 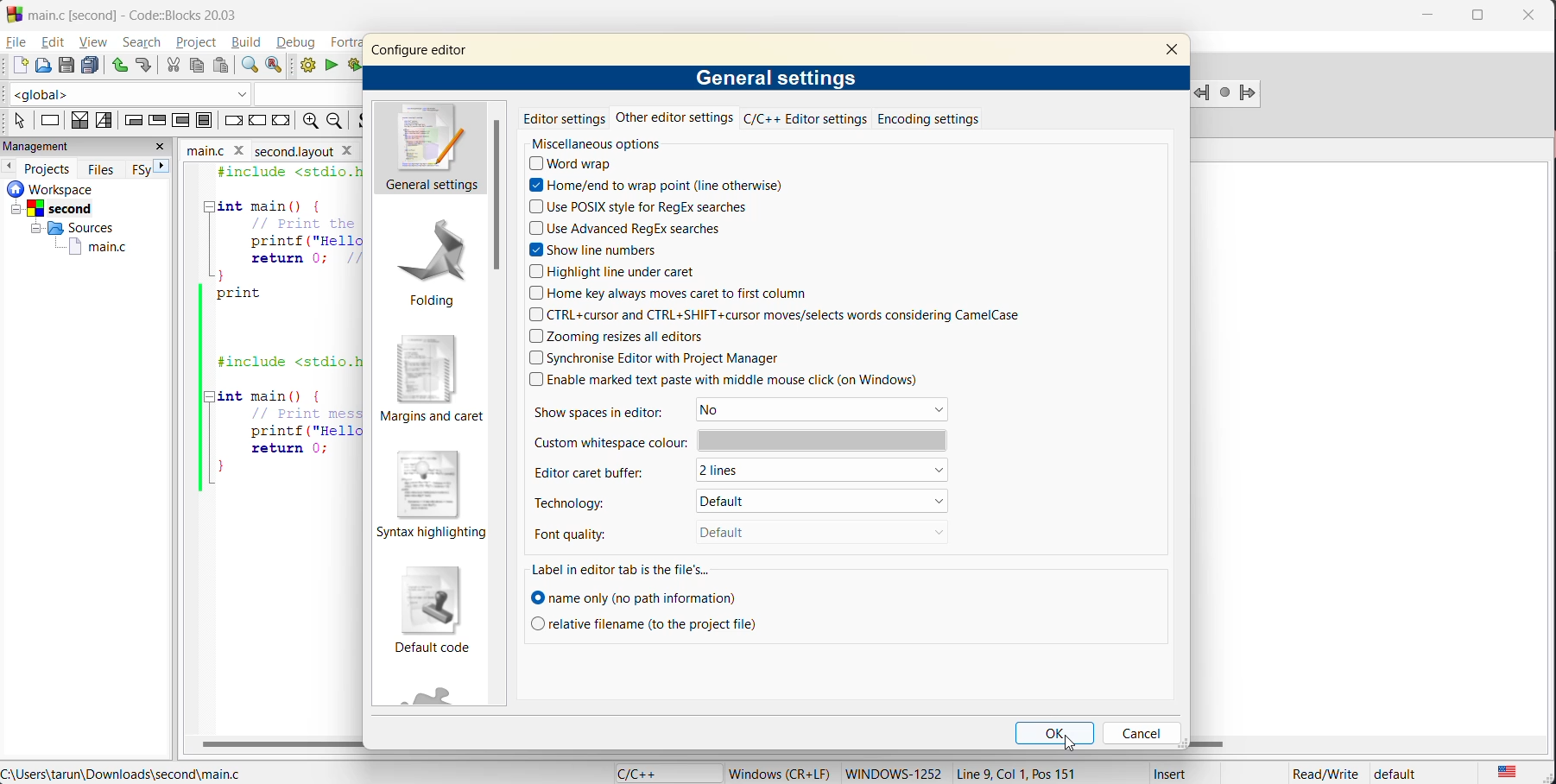 What do you see at coordinates (597, 411) in the screenshot?
I see `show spaces in editor` at bounding box center [597, 411].